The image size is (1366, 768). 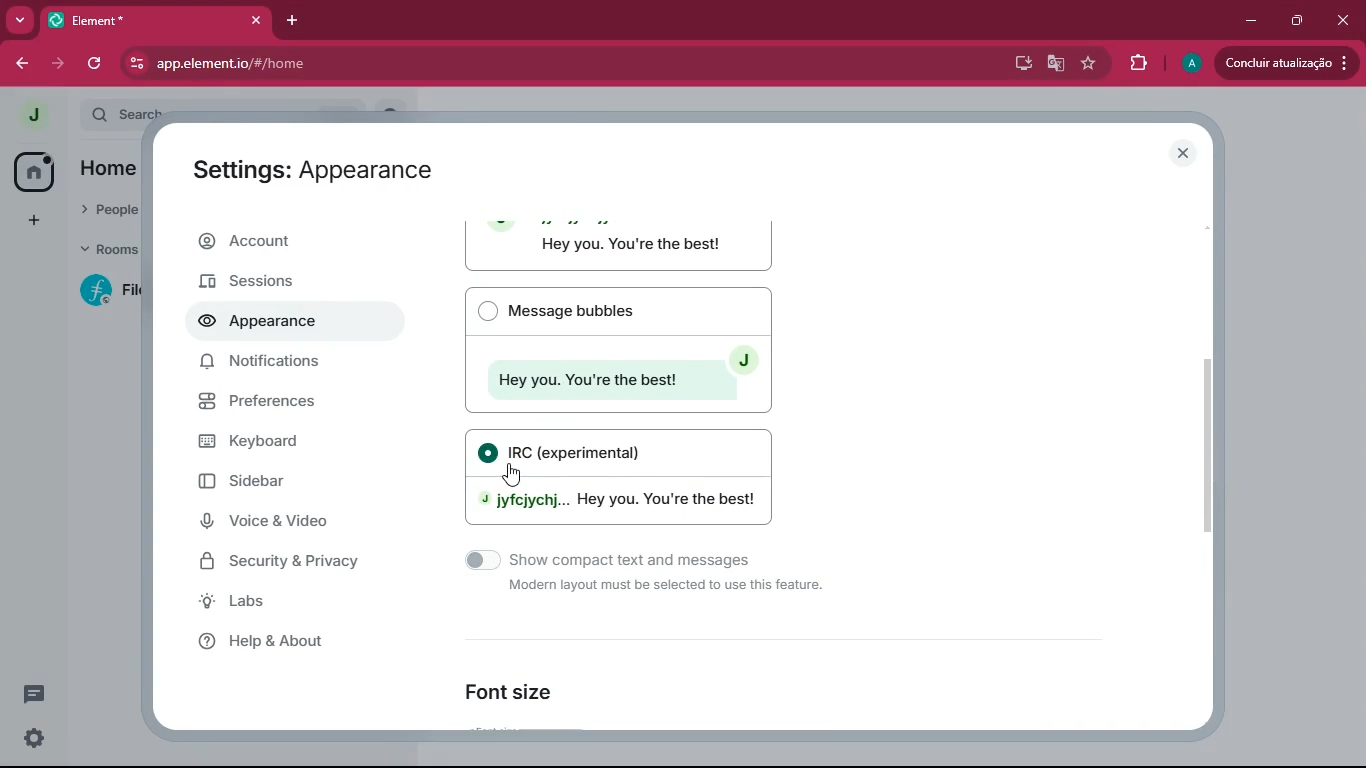 What do you see at coordinates (105, 291) in the screenshot?
I see `room` at bounding box center [105, 291].